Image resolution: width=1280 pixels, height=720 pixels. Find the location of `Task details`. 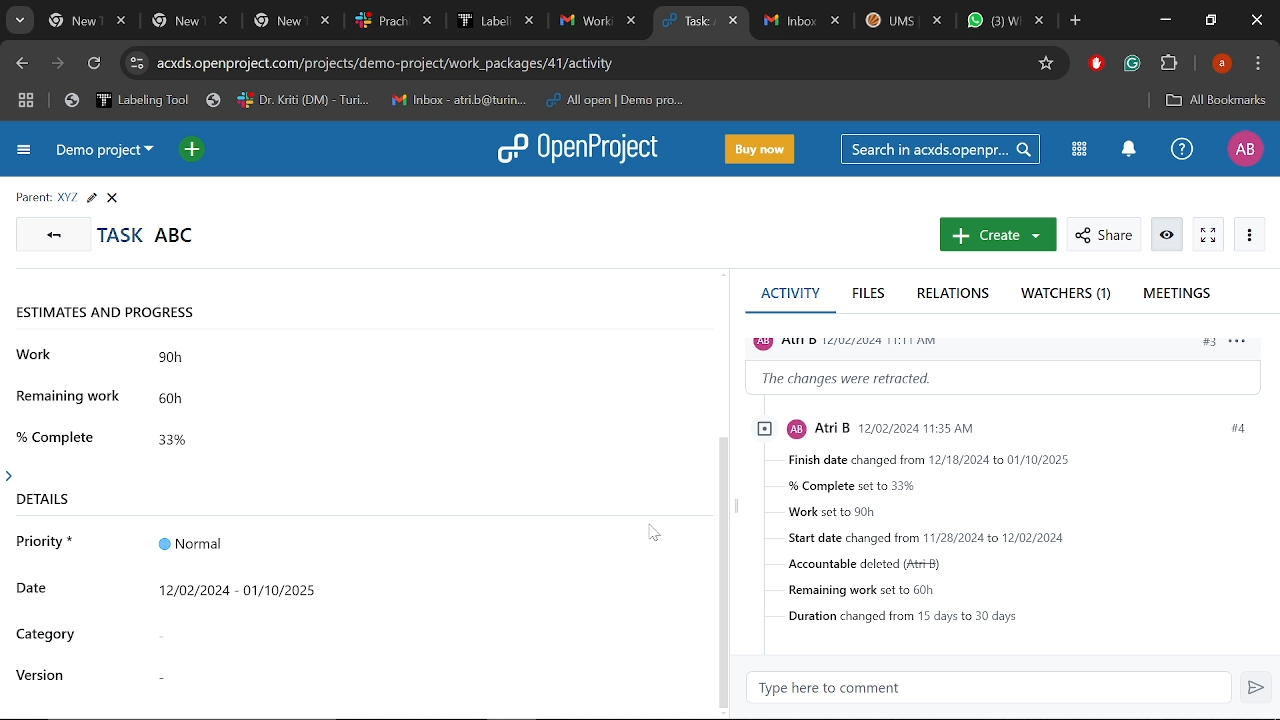

Task details is located at coordinates (1026, 548).